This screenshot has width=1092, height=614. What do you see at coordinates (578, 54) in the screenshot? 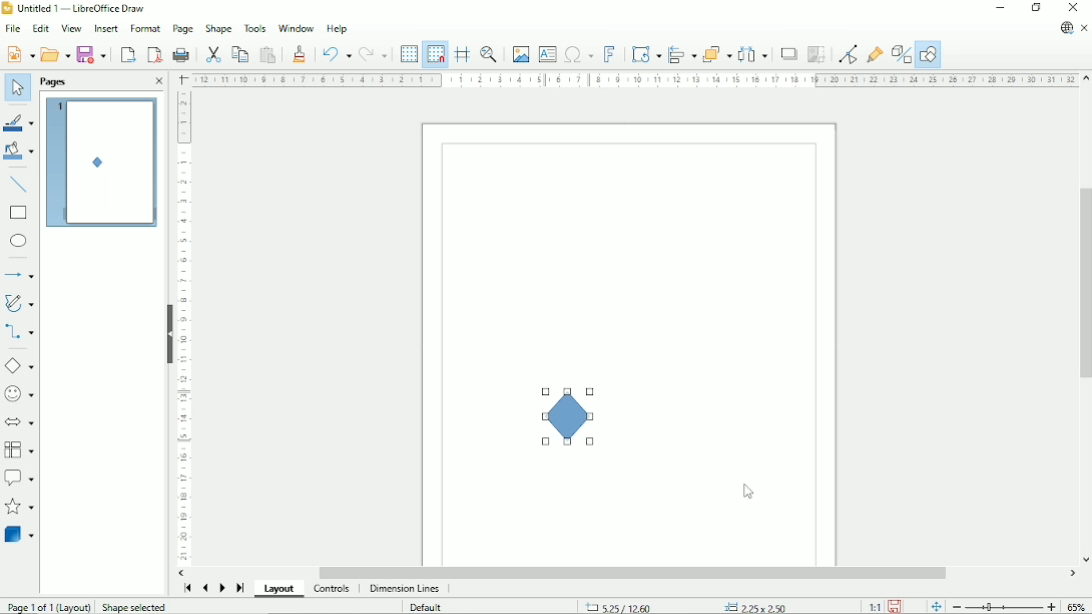
I see `Insert special characters` at bounding box center [578, 54].